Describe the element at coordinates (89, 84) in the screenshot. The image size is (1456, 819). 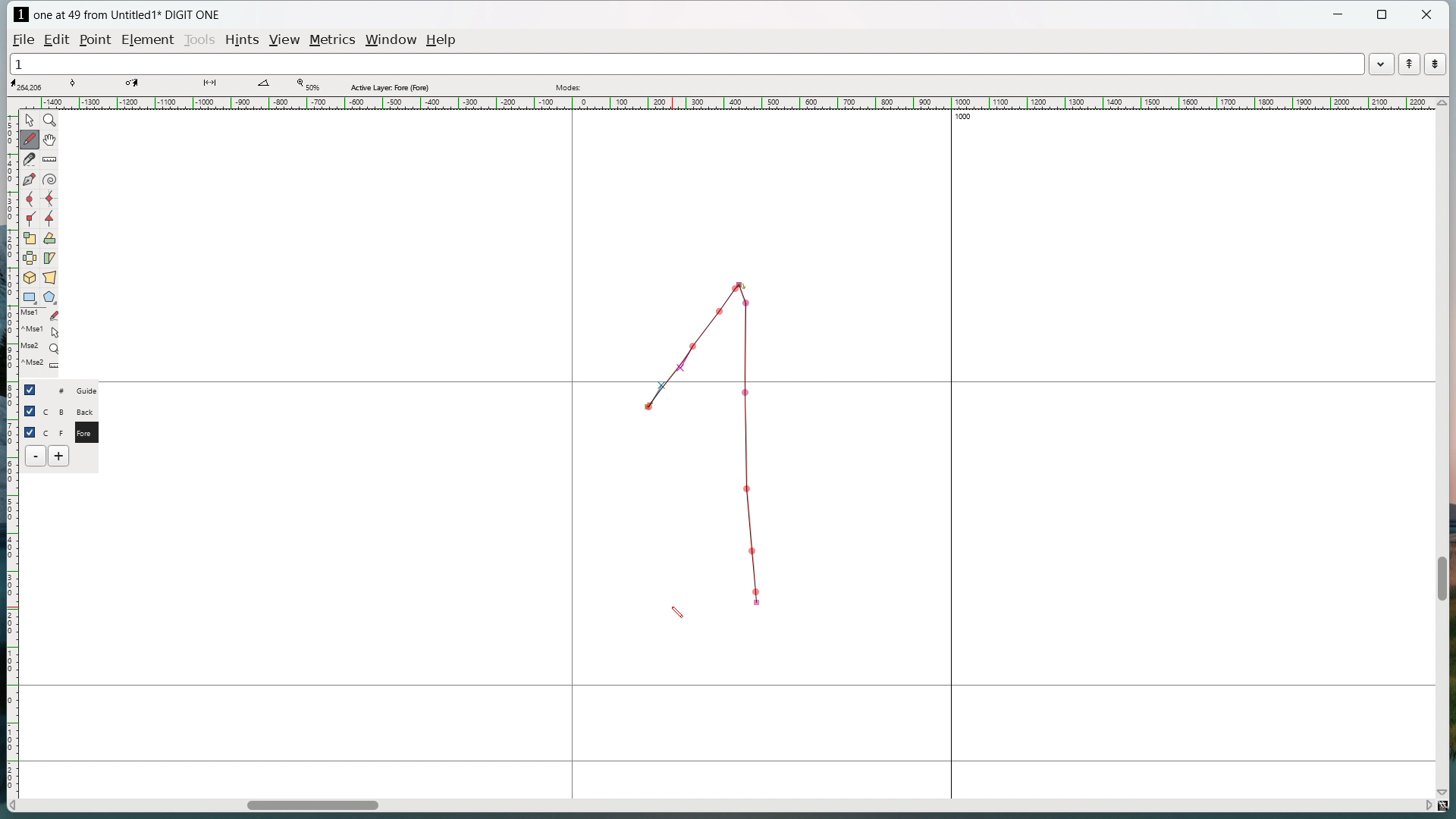
I see `tangent` at that location.